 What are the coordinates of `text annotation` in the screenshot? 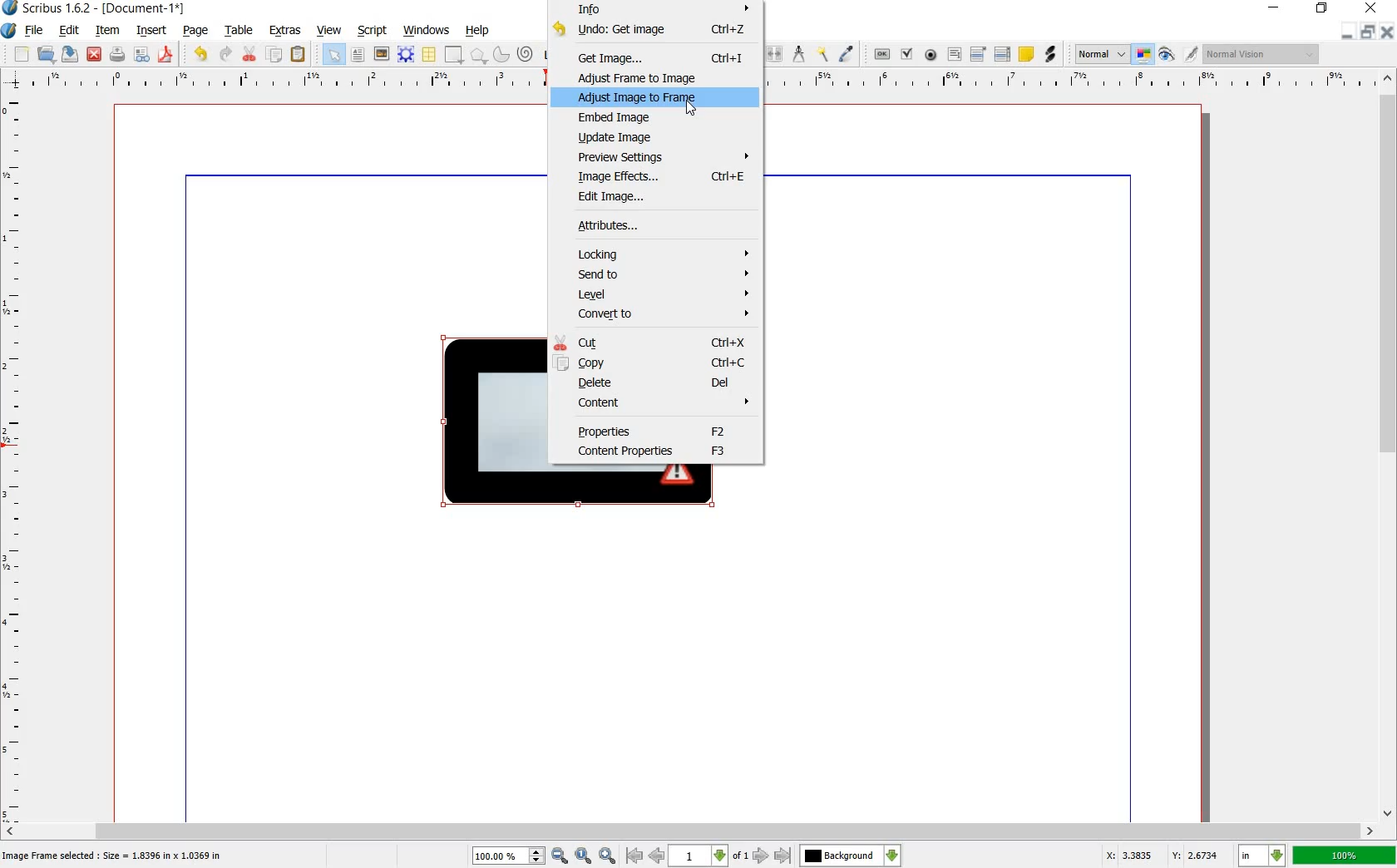 It's located at (1027, 55).